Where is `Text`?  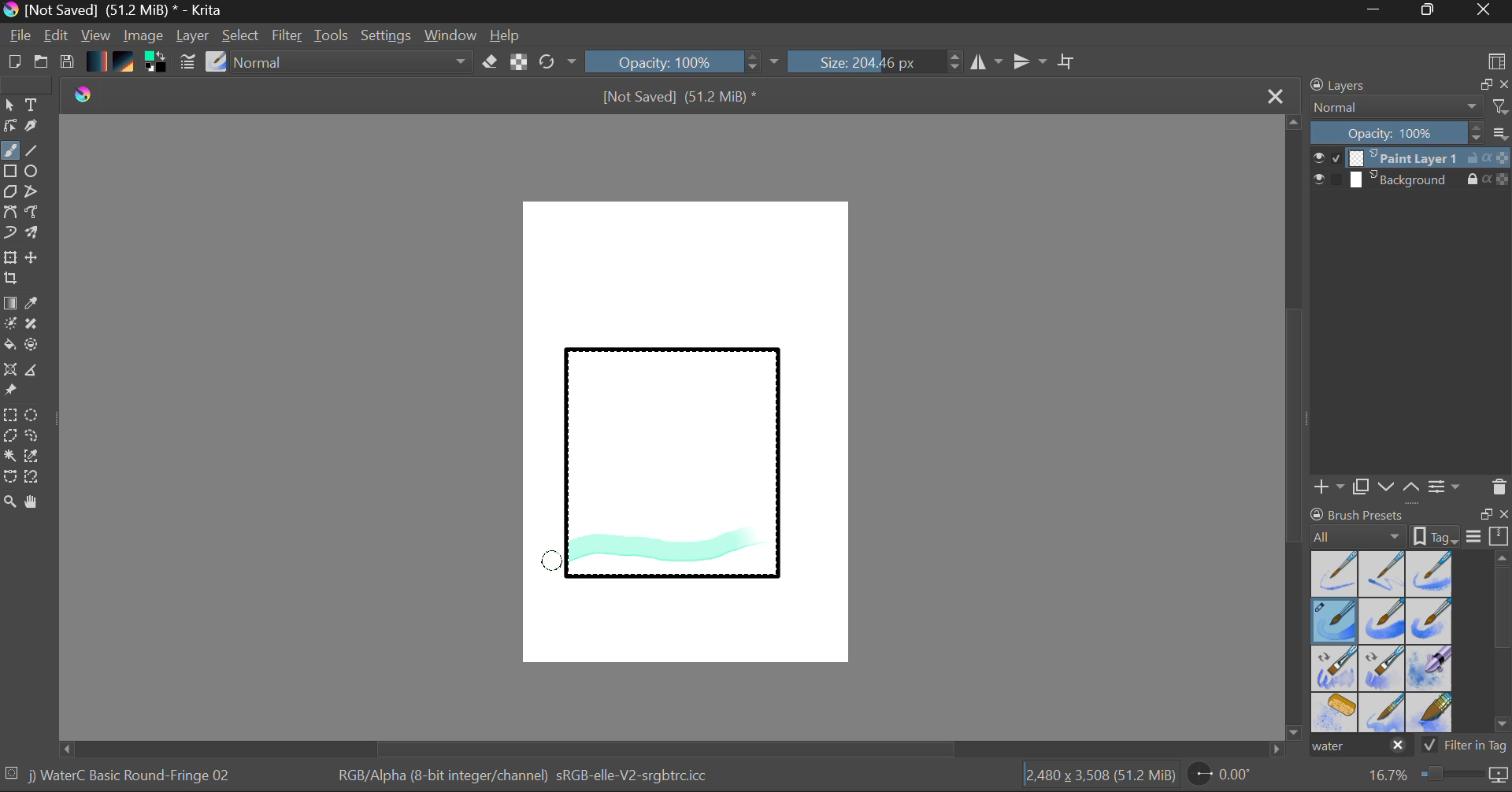
Text is located at coordinates (32, 103).